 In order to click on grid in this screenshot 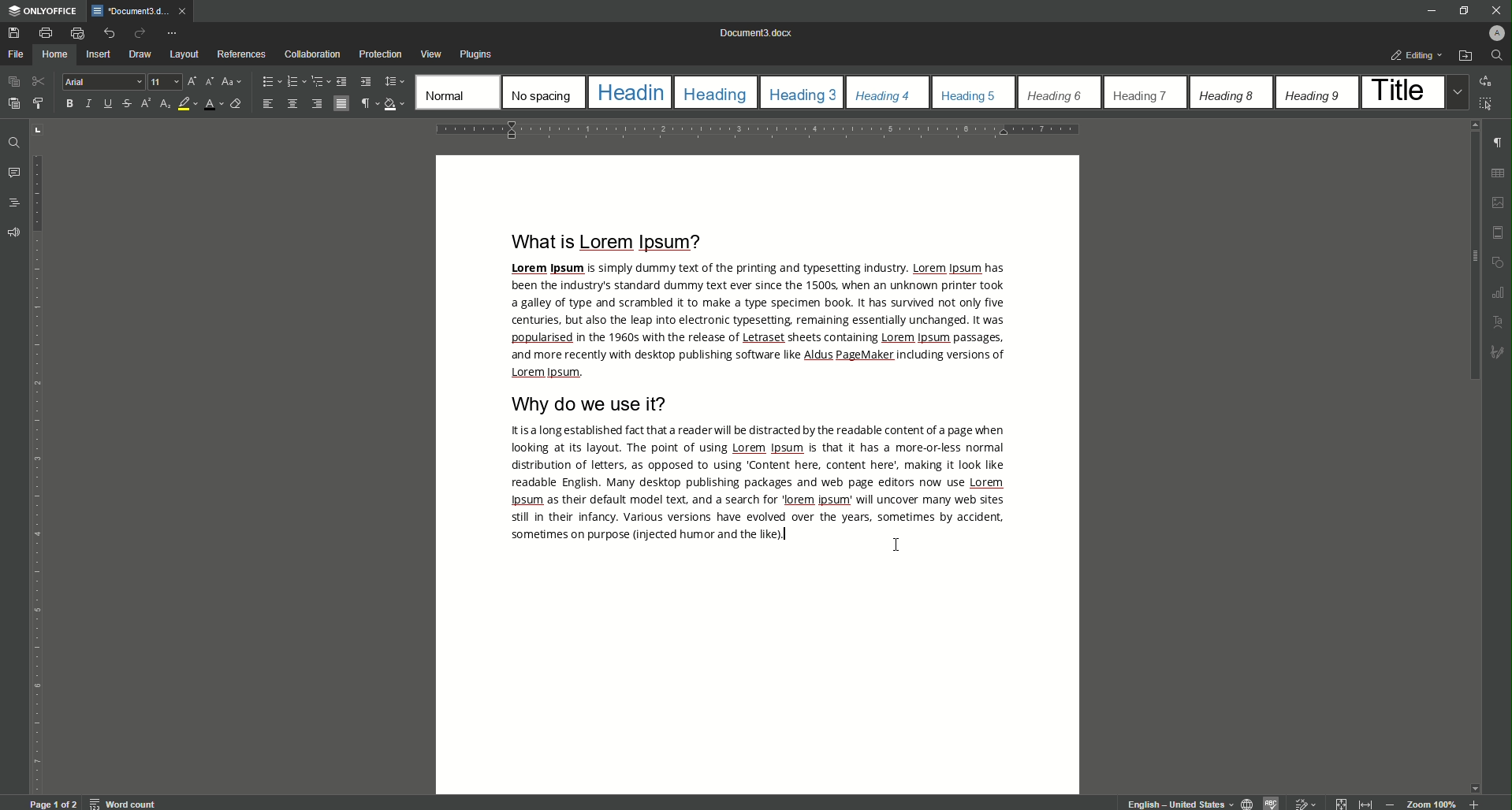, I will do `click(1499, 170)`.